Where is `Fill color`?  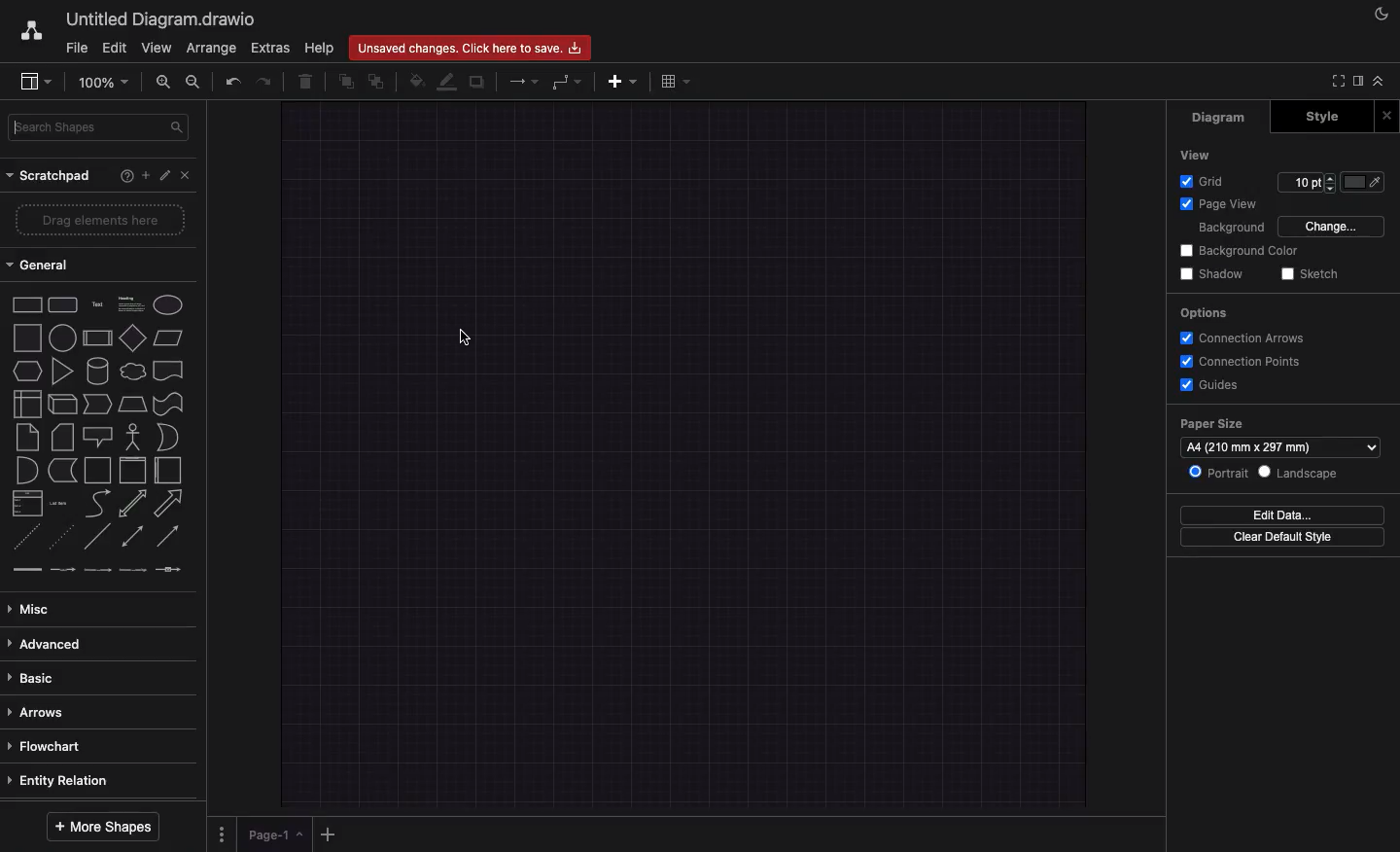 Fill color is located at coordinates (1364, 182).